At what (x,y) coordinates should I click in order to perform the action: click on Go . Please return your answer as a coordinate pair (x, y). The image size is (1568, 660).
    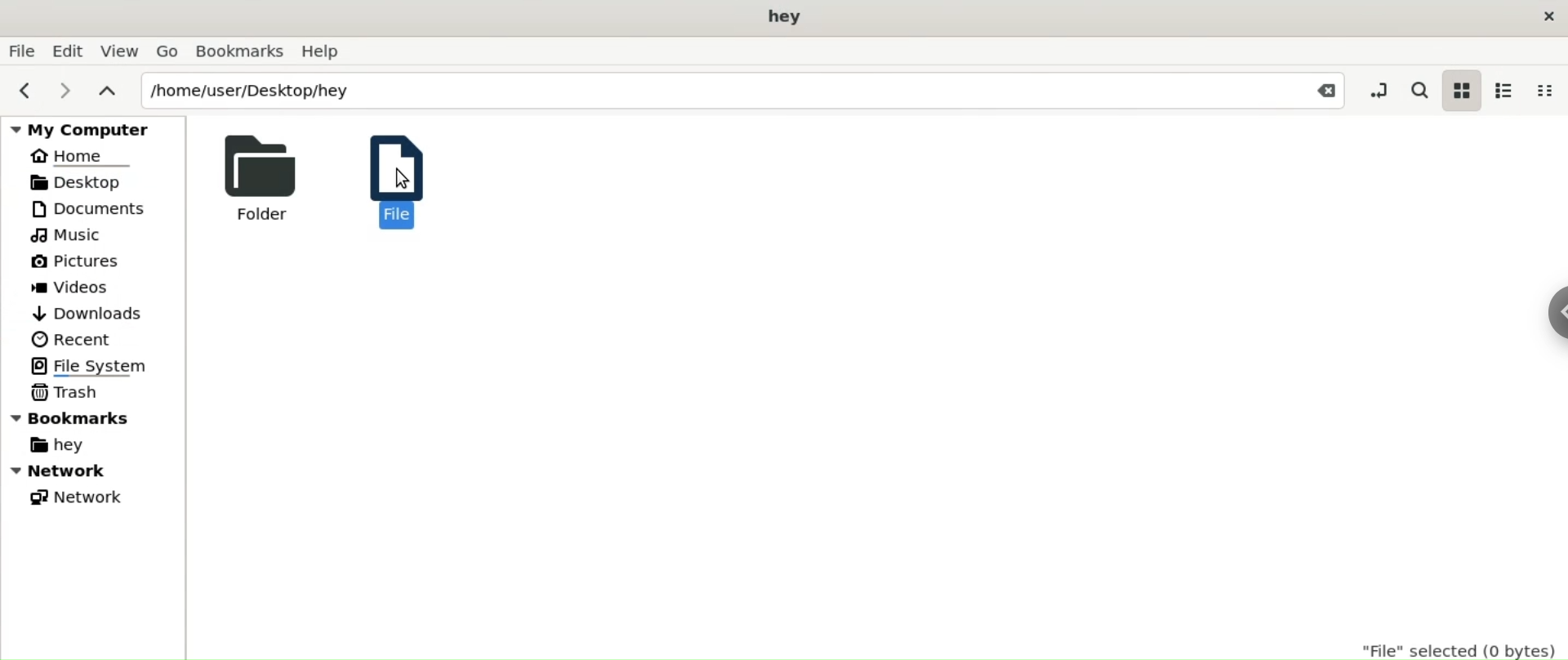
    Looking at the image, I should click on (171, 52).